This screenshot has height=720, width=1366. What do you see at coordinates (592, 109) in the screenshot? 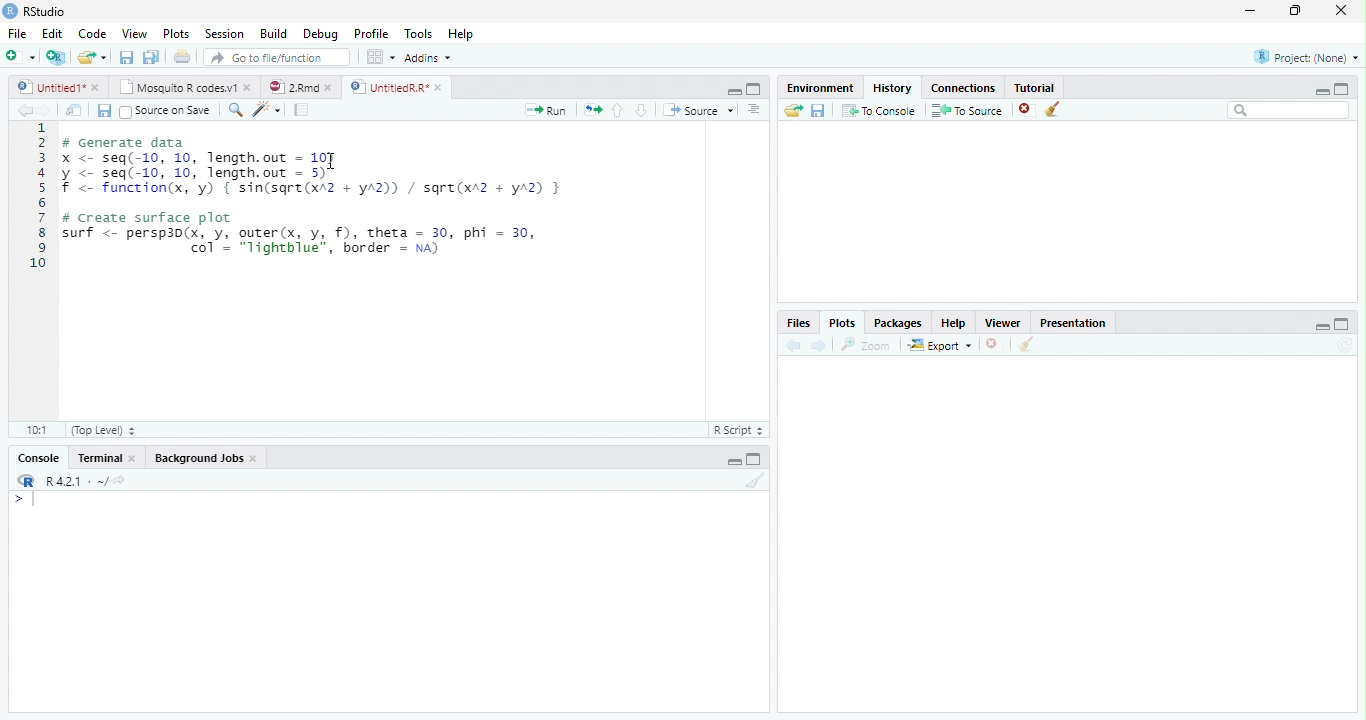
I see `Re-run the previous code region` at bounding box center [592, 109].